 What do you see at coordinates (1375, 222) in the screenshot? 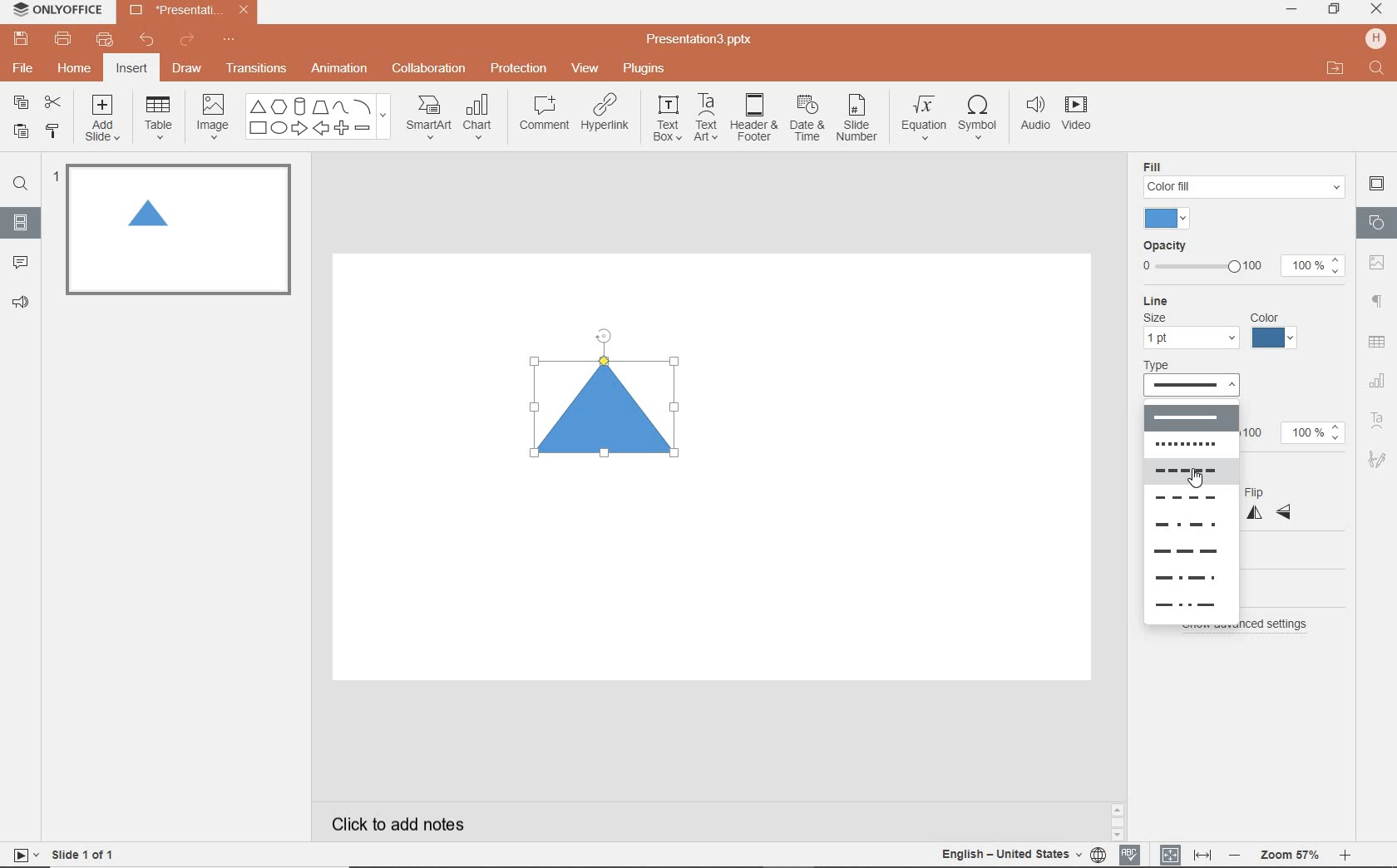
I see `SHAPE SETTINGS` at bounding box center [1375, 222].